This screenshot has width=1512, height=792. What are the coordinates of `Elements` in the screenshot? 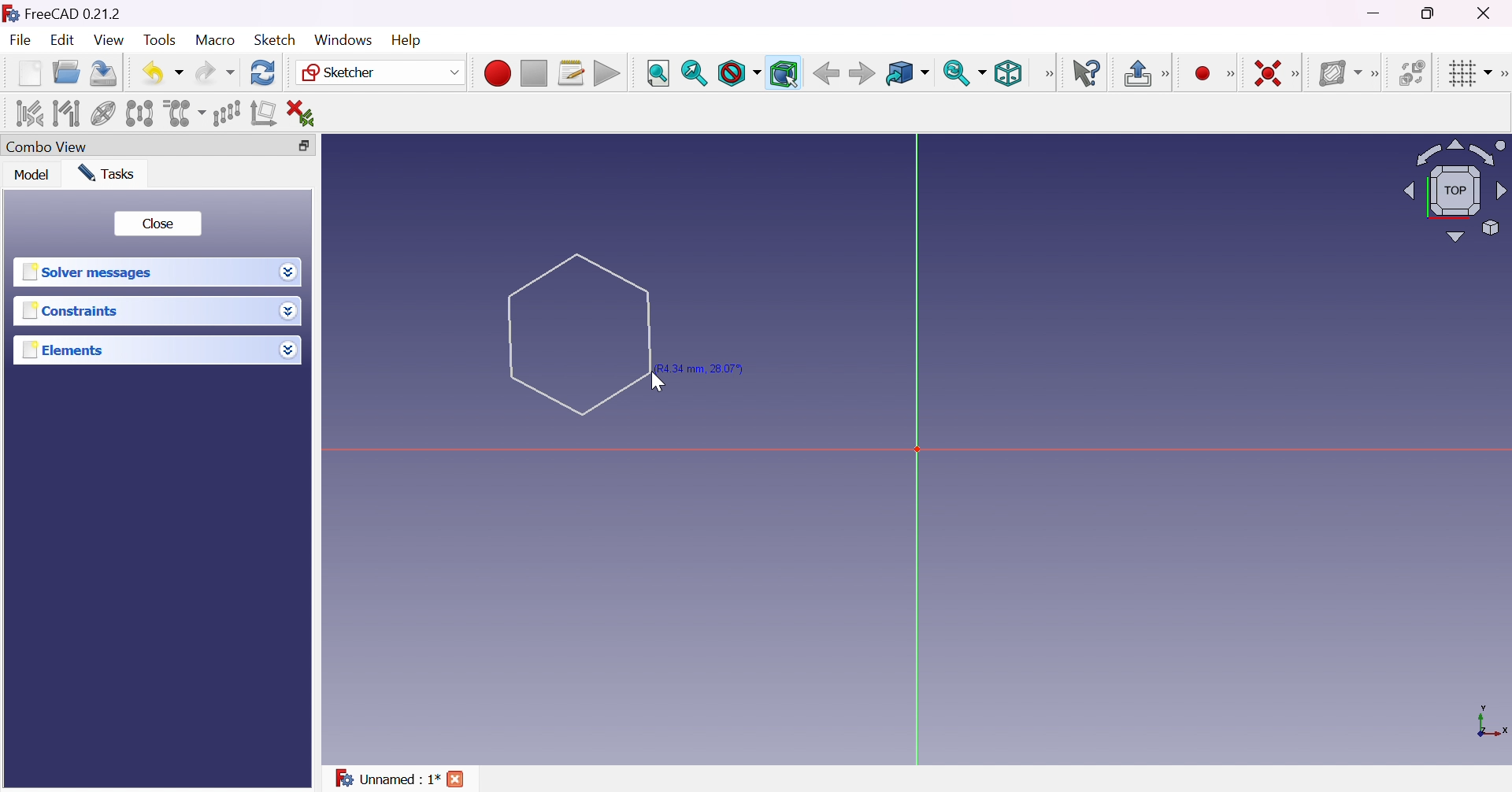 It's located at (66, 350).